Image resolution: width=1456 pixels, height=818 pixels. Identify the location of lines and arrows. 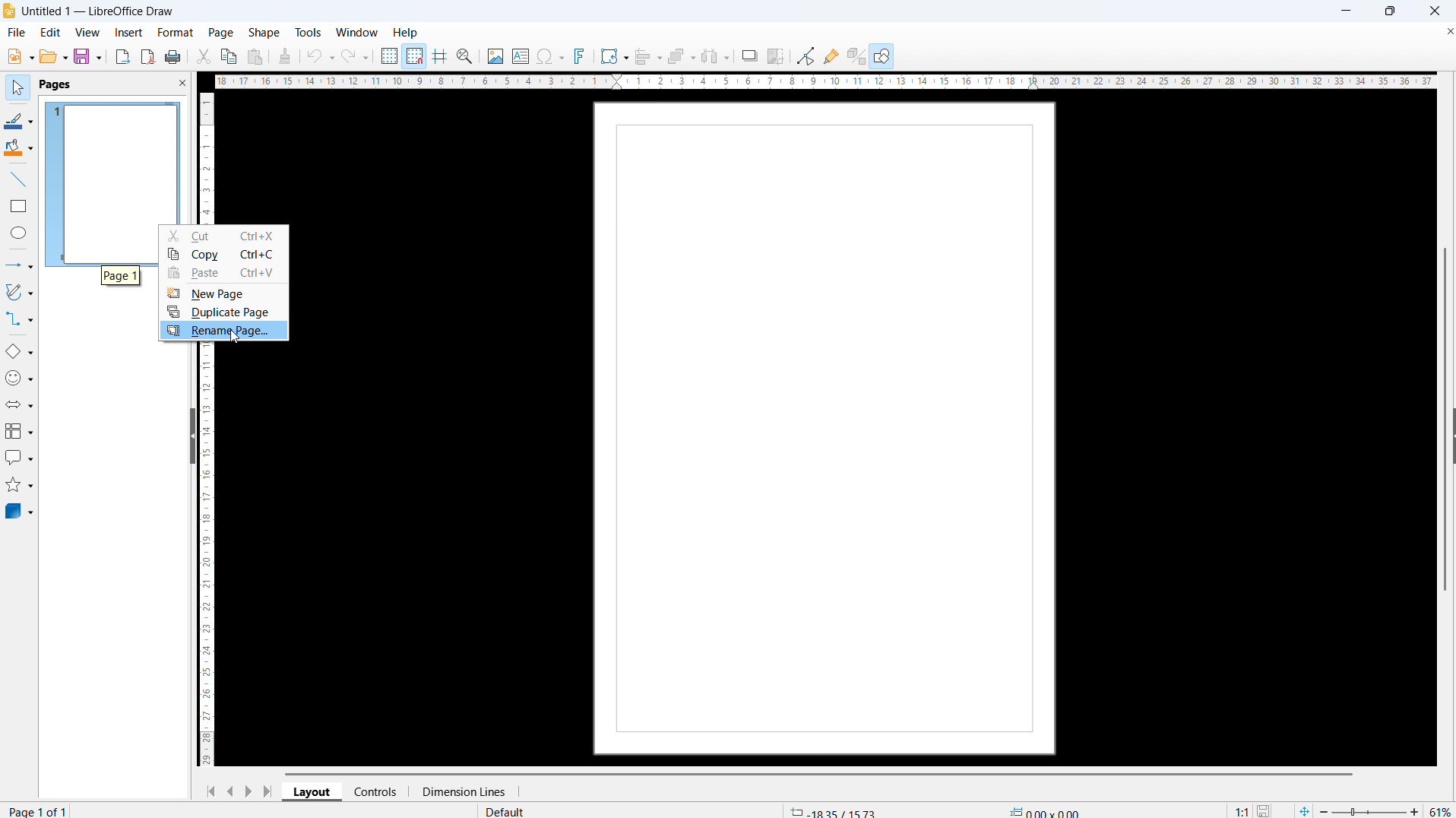
(19, 266).